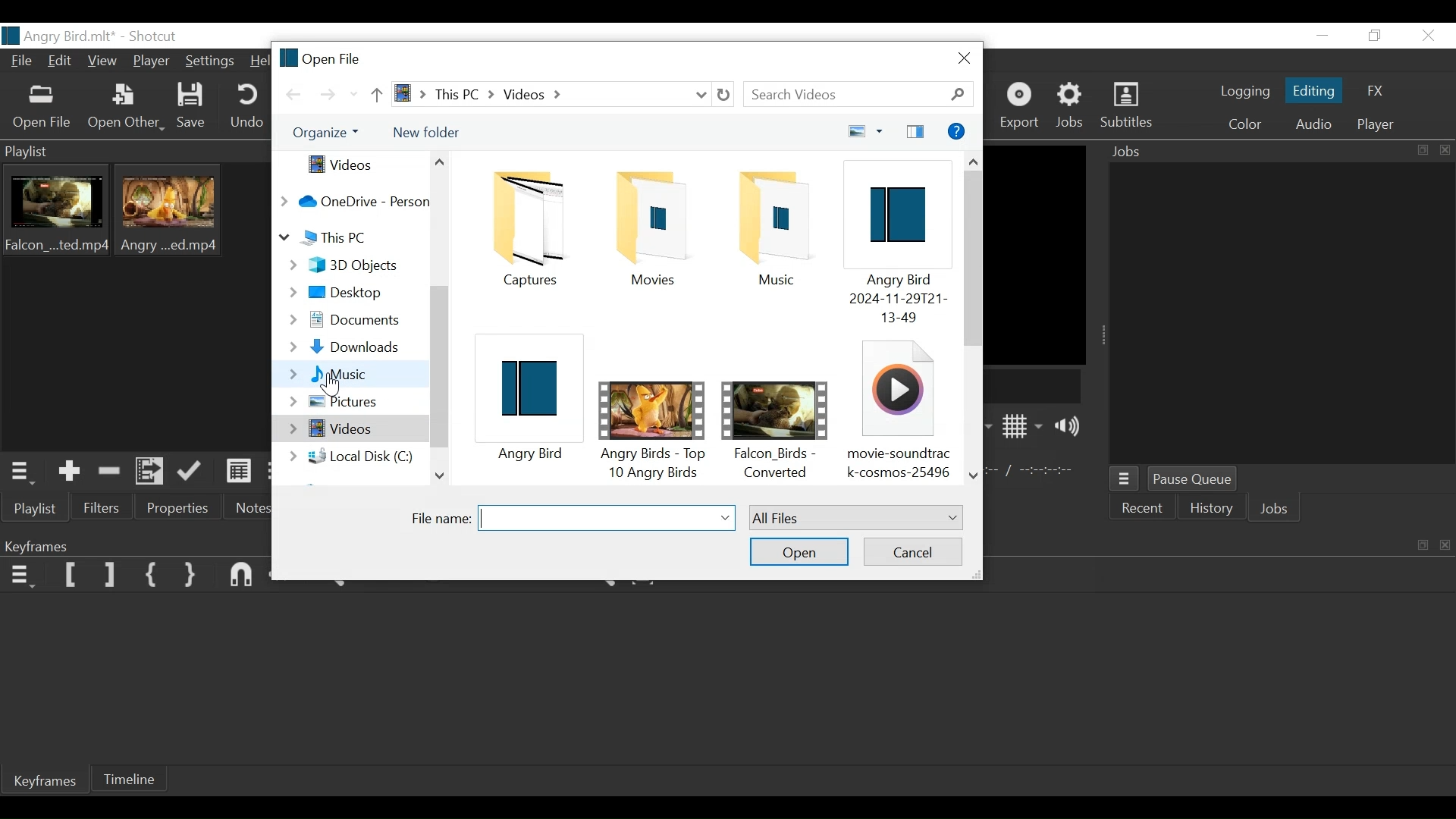  What do you see at coordinates (189, 576) in the screenshot?
I see `Set Second Simple Keyframe` at bounding box center [189, 576].